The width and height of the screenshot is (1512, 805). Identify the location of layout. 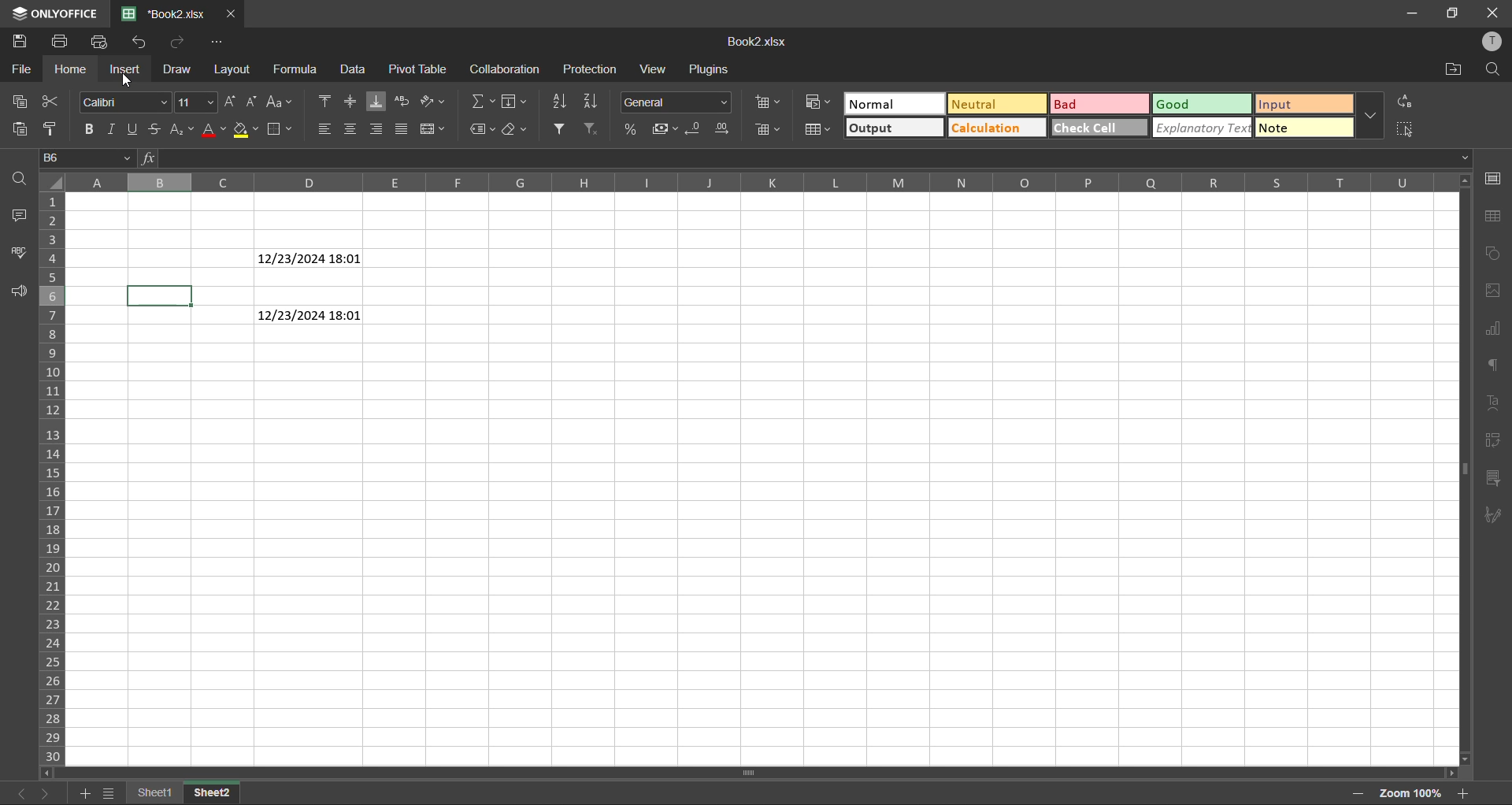
(240, 69).